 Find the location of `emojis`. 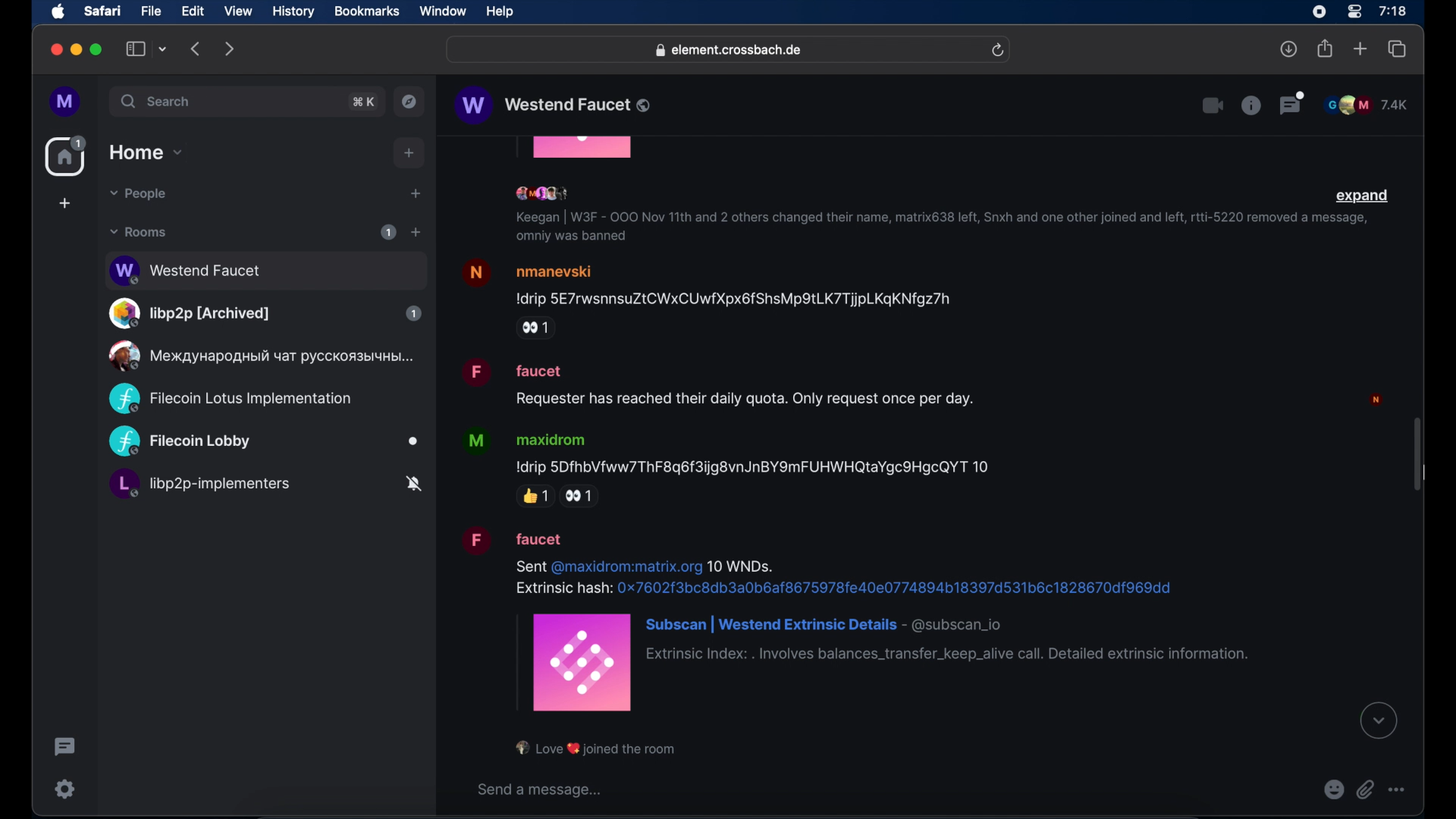

emojis is located at coordinates (1334, 789).